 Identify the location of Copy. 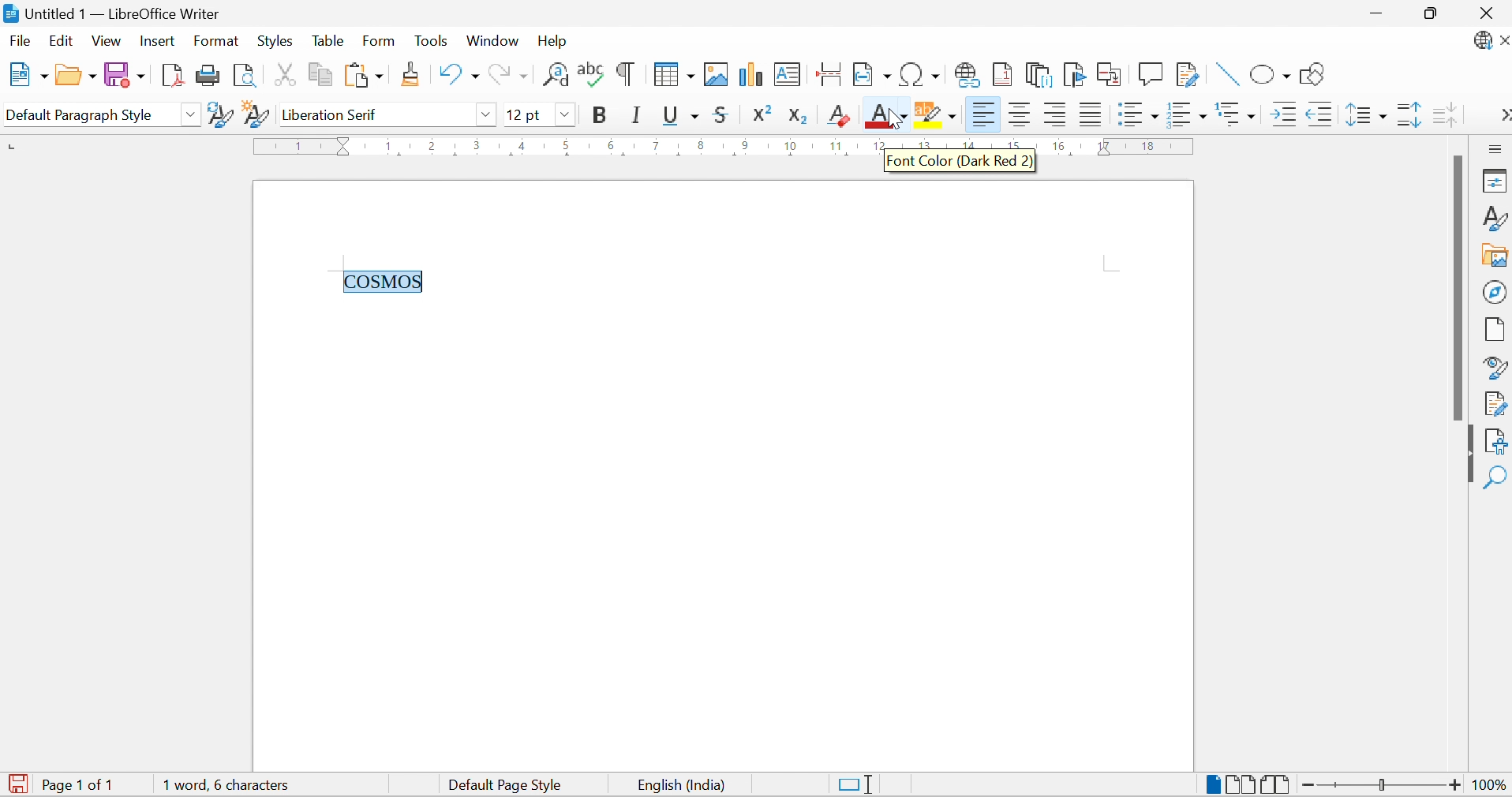
(318, 75).